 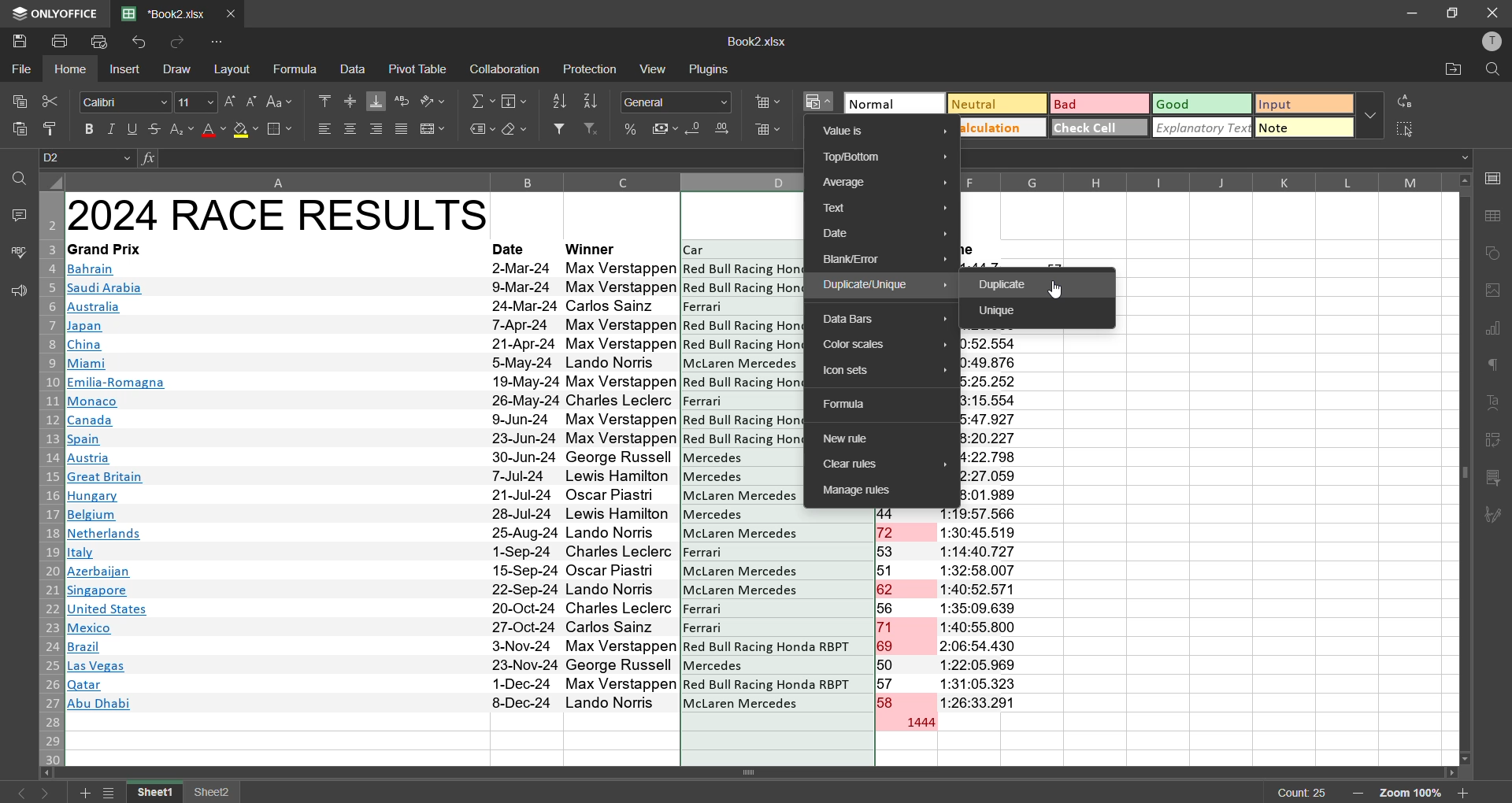 I want to click on clear, so click(x=515, y=130).